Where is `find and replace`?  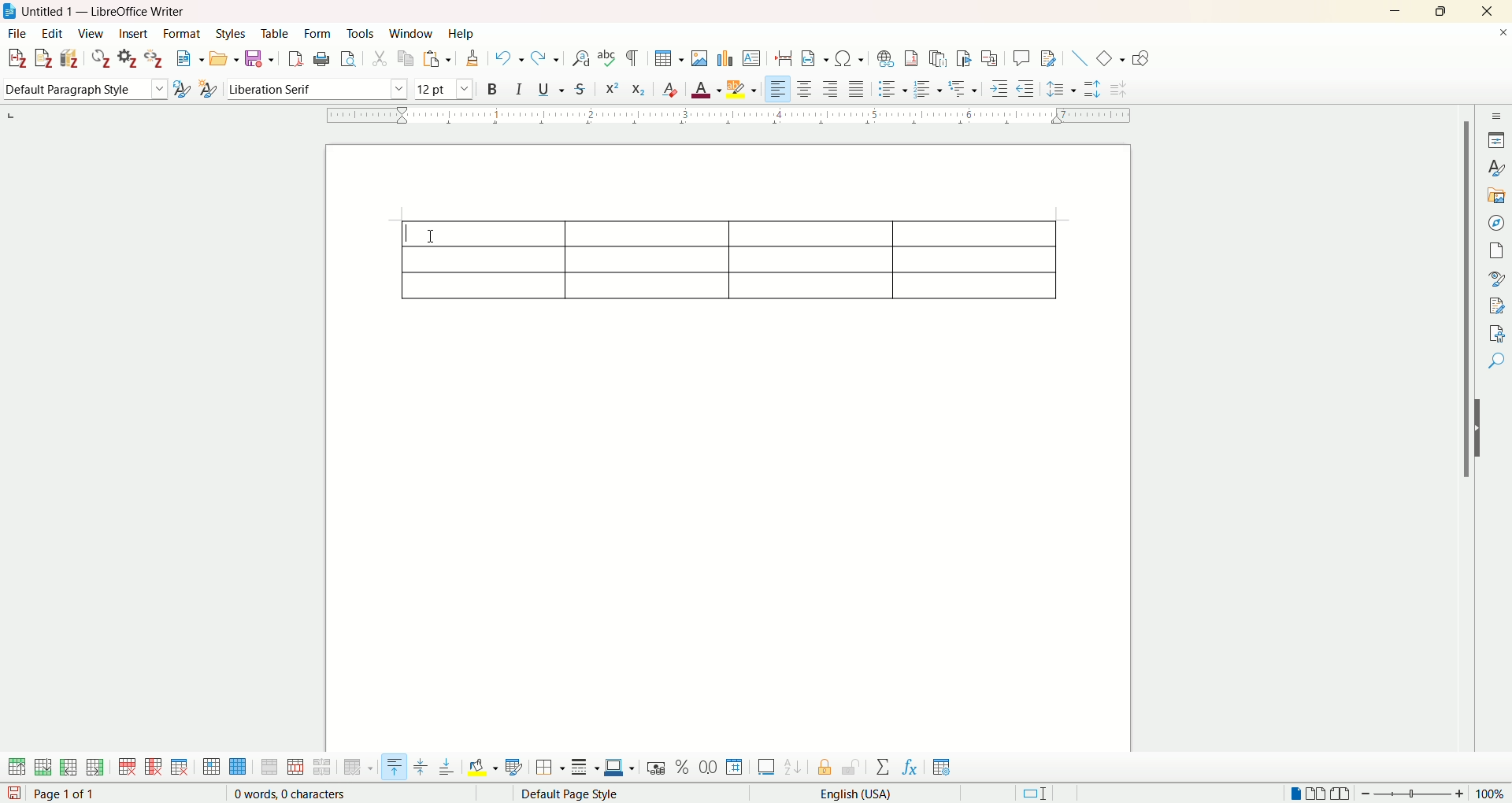 find and replace is located at coordinates (579, 58).